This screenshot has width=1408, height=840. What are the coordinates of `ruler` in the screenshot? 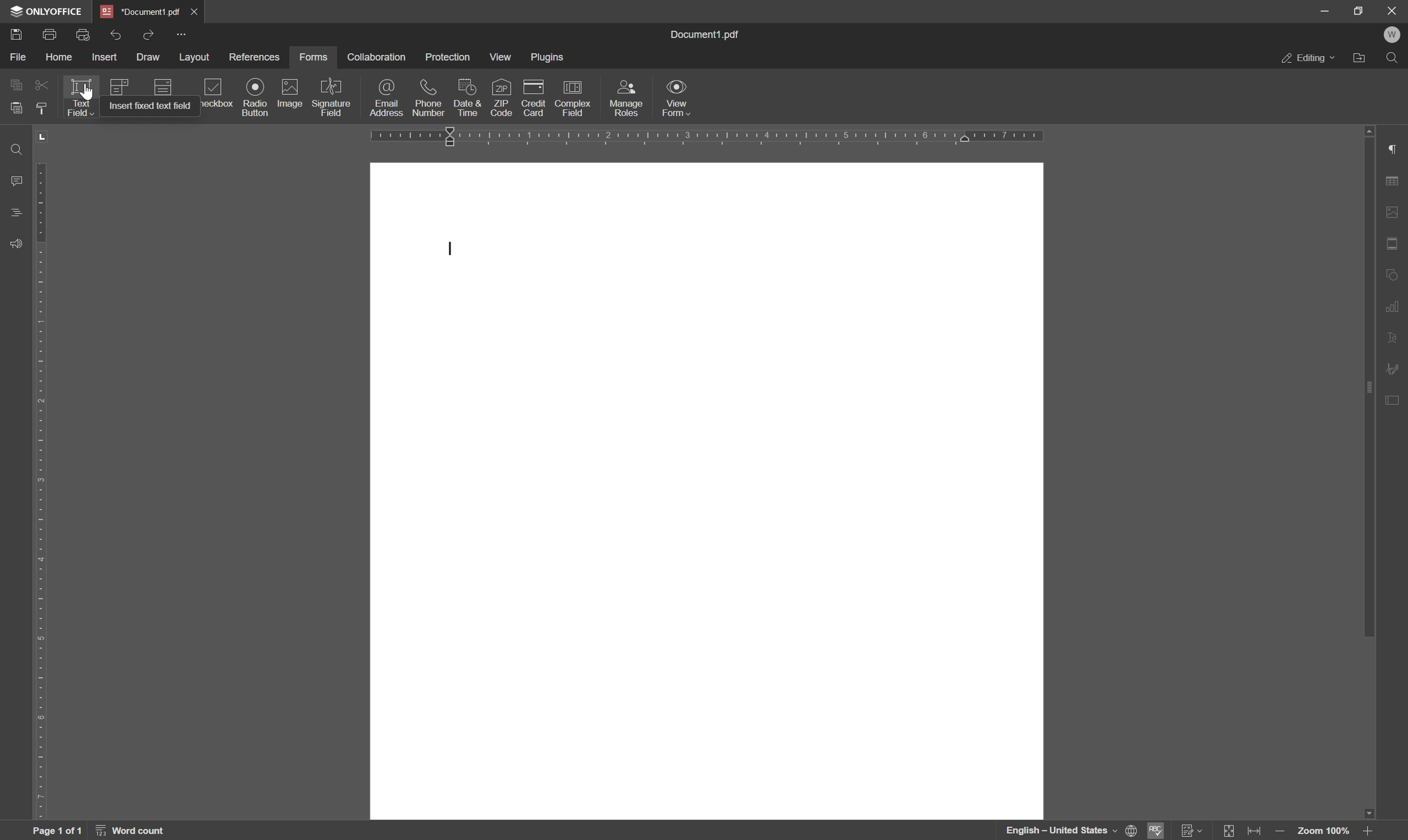 It's located at (711, 137).